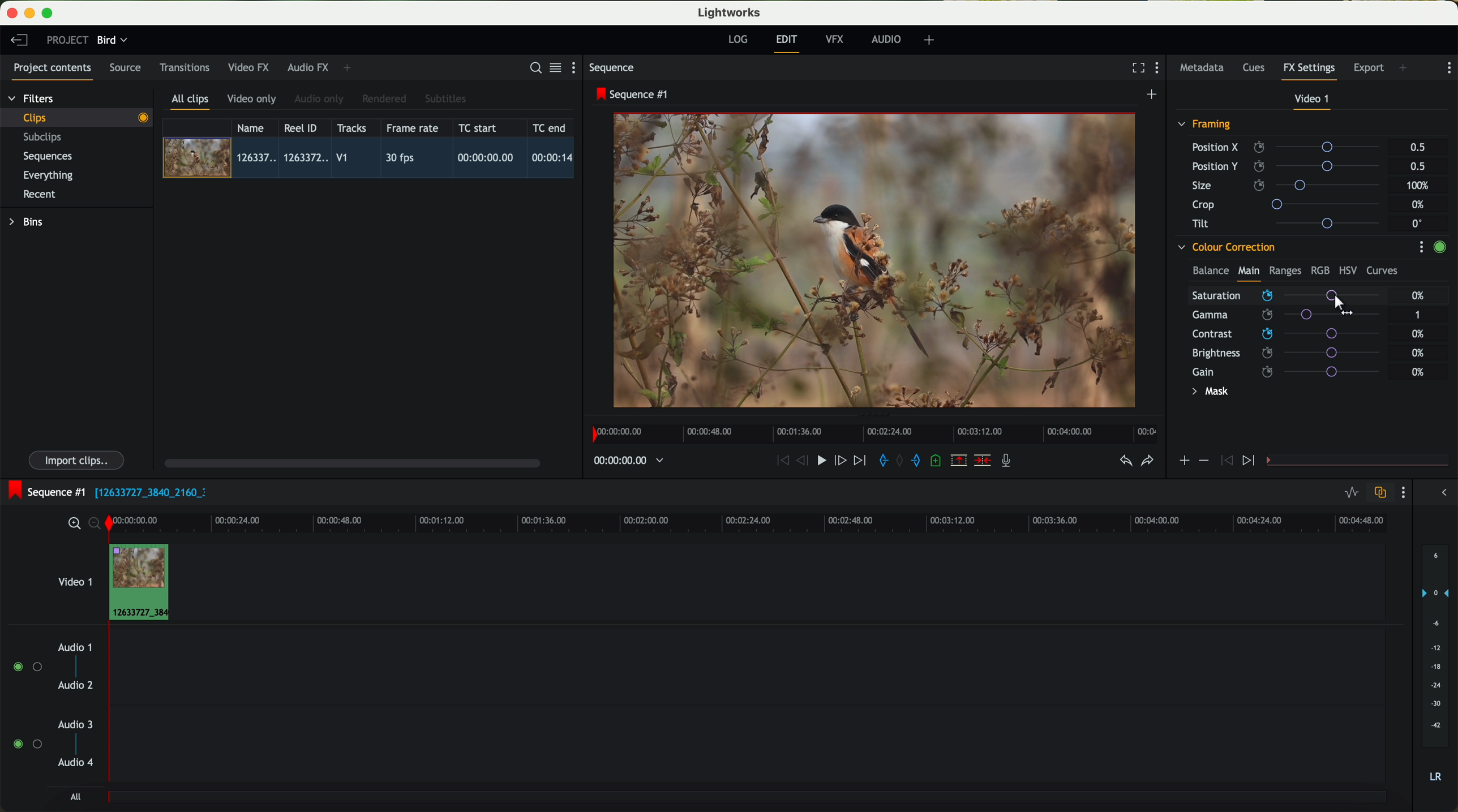 This screenshot has height=812, width=1458. I want to click on all clips, so click(191, 102).